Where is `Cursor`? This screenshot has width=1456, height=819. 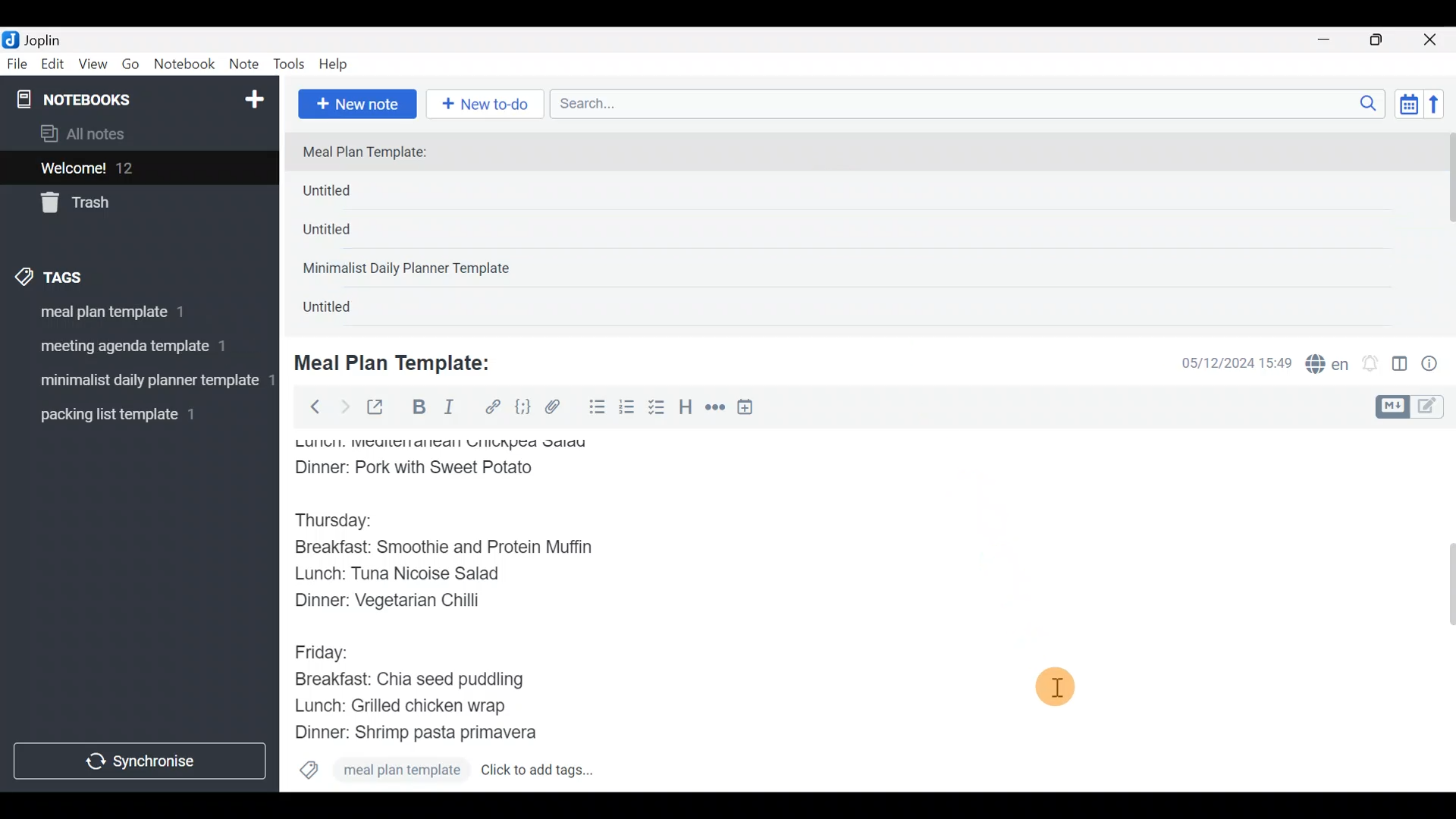 Cursor is located at coordinates (1059, 683).